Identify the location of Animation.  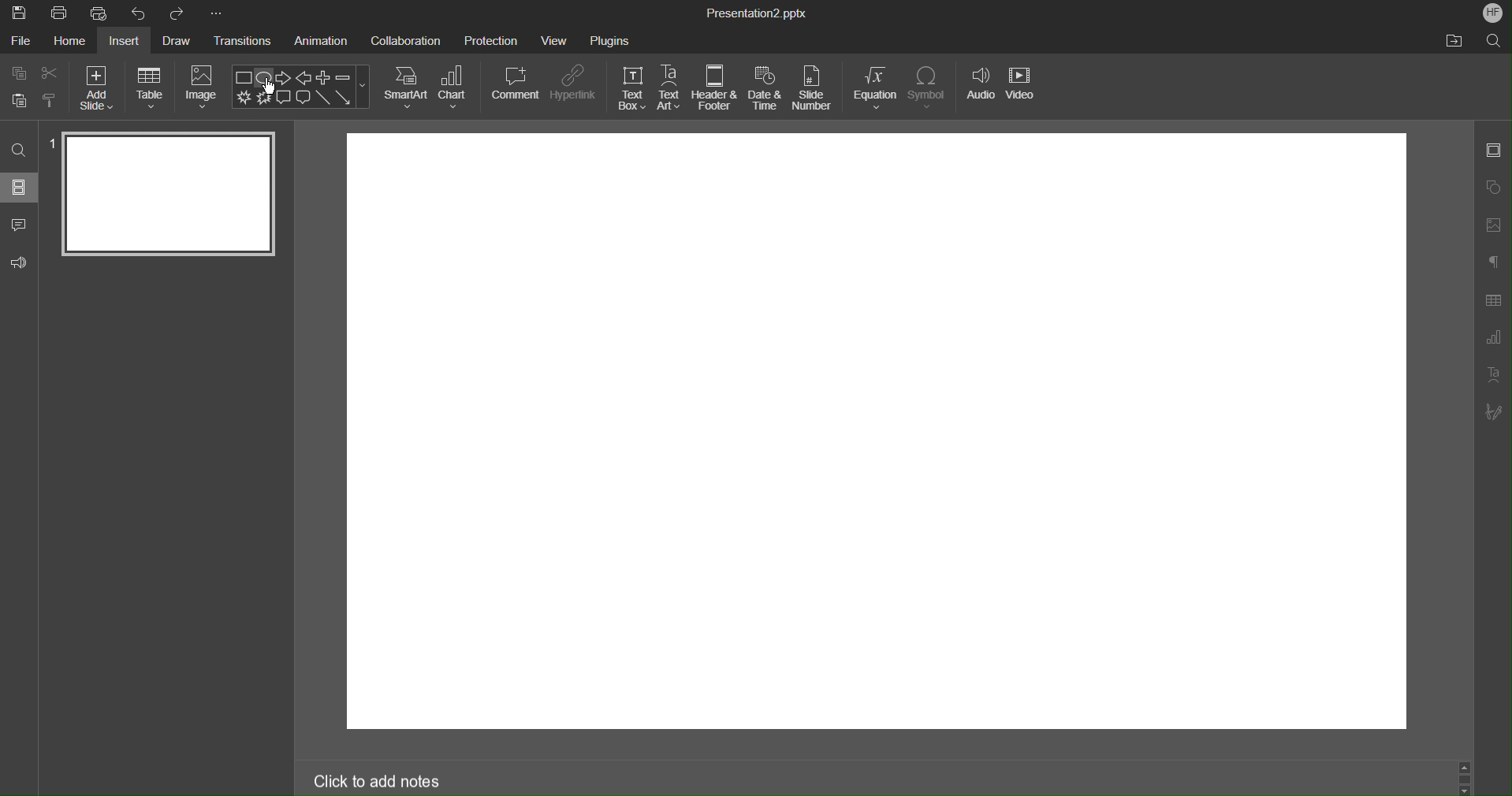
(324, 42).